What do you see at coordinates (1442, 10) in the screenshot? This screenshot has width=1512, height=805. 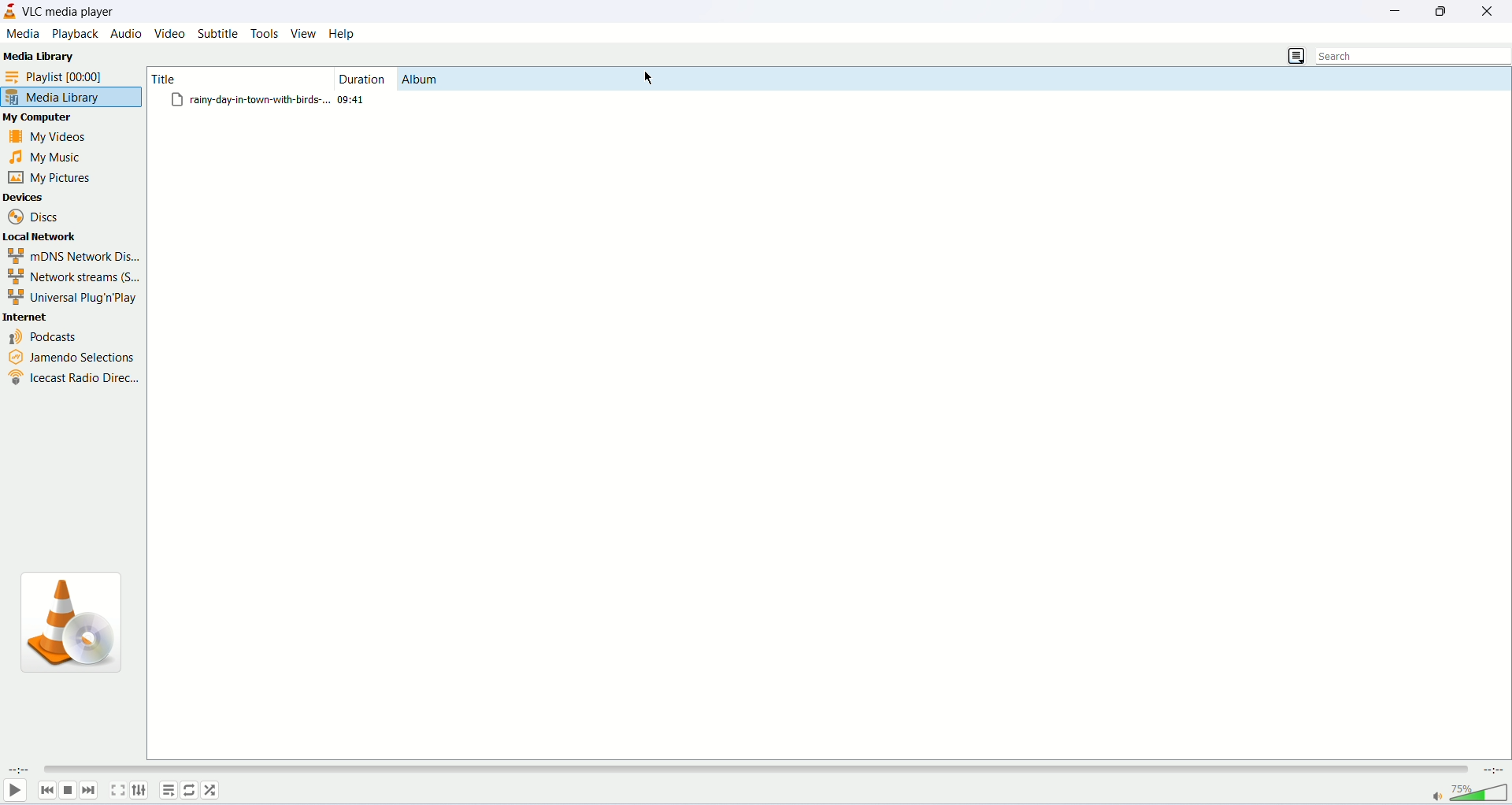 I see `maximize` at bounding box center [1442, 10].